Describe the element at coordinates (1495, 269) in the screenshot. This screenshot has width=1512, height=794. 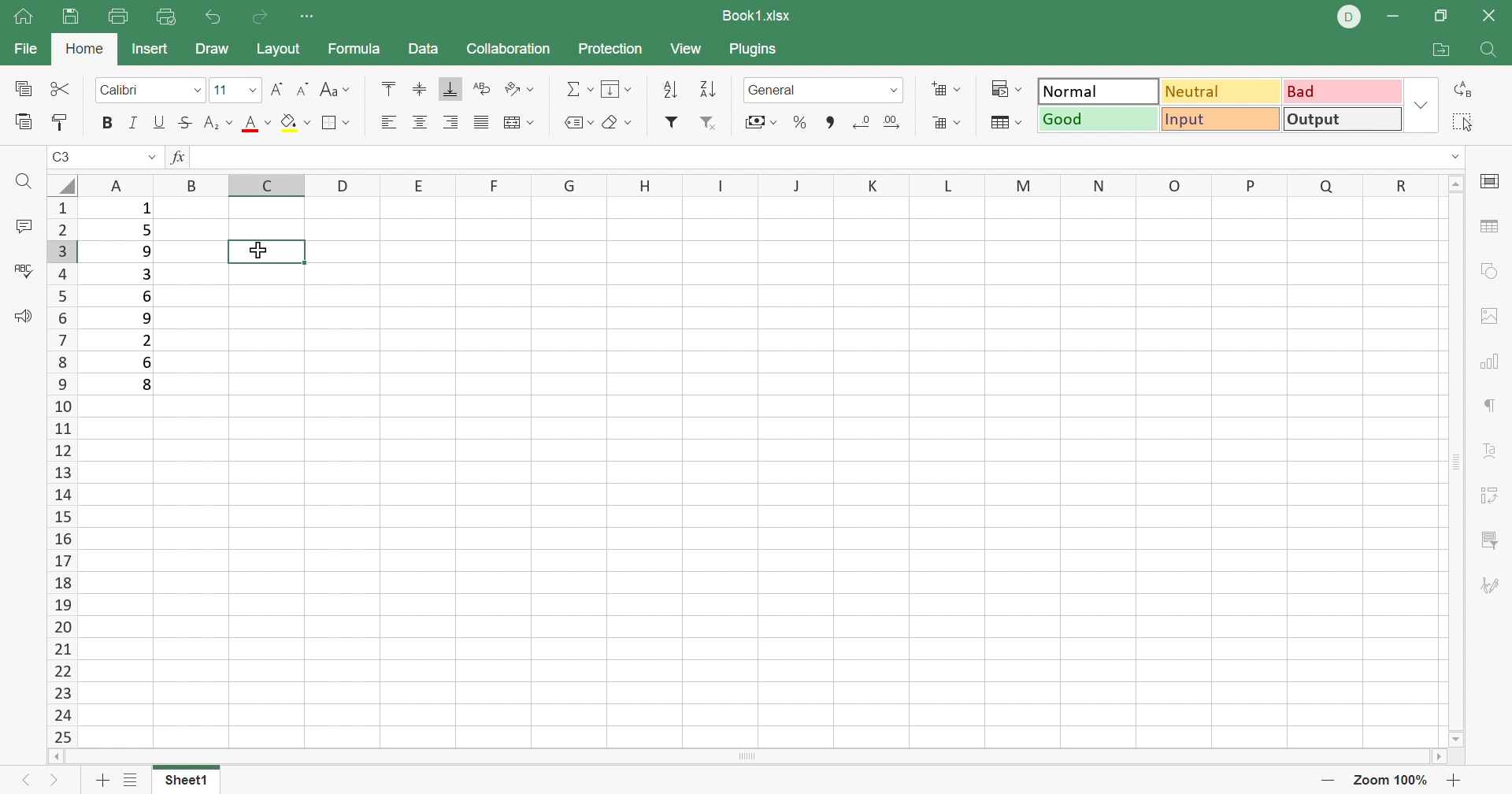
I see `shape settings` at that location.